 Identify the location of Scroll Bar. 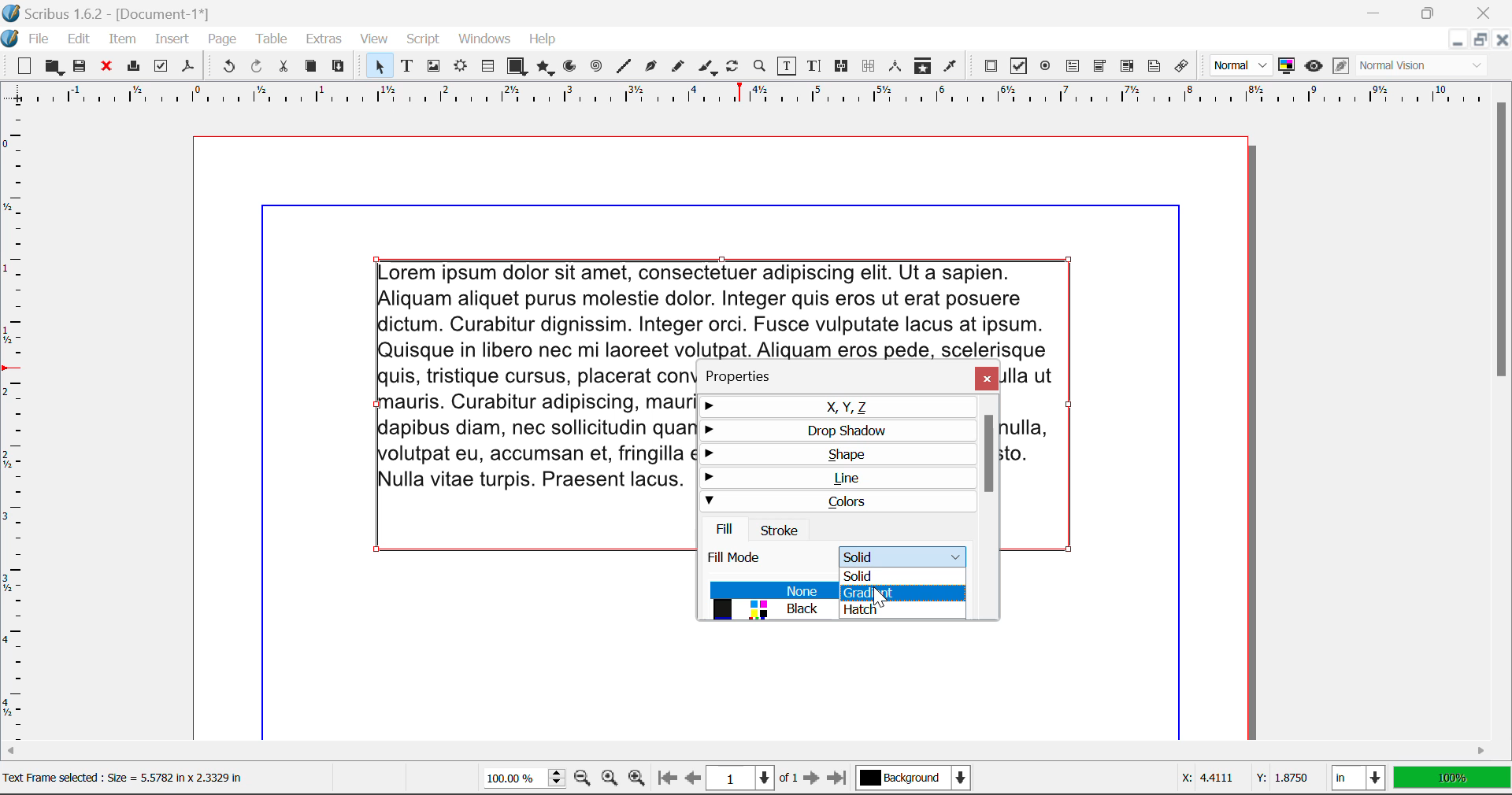
(1503, 411).